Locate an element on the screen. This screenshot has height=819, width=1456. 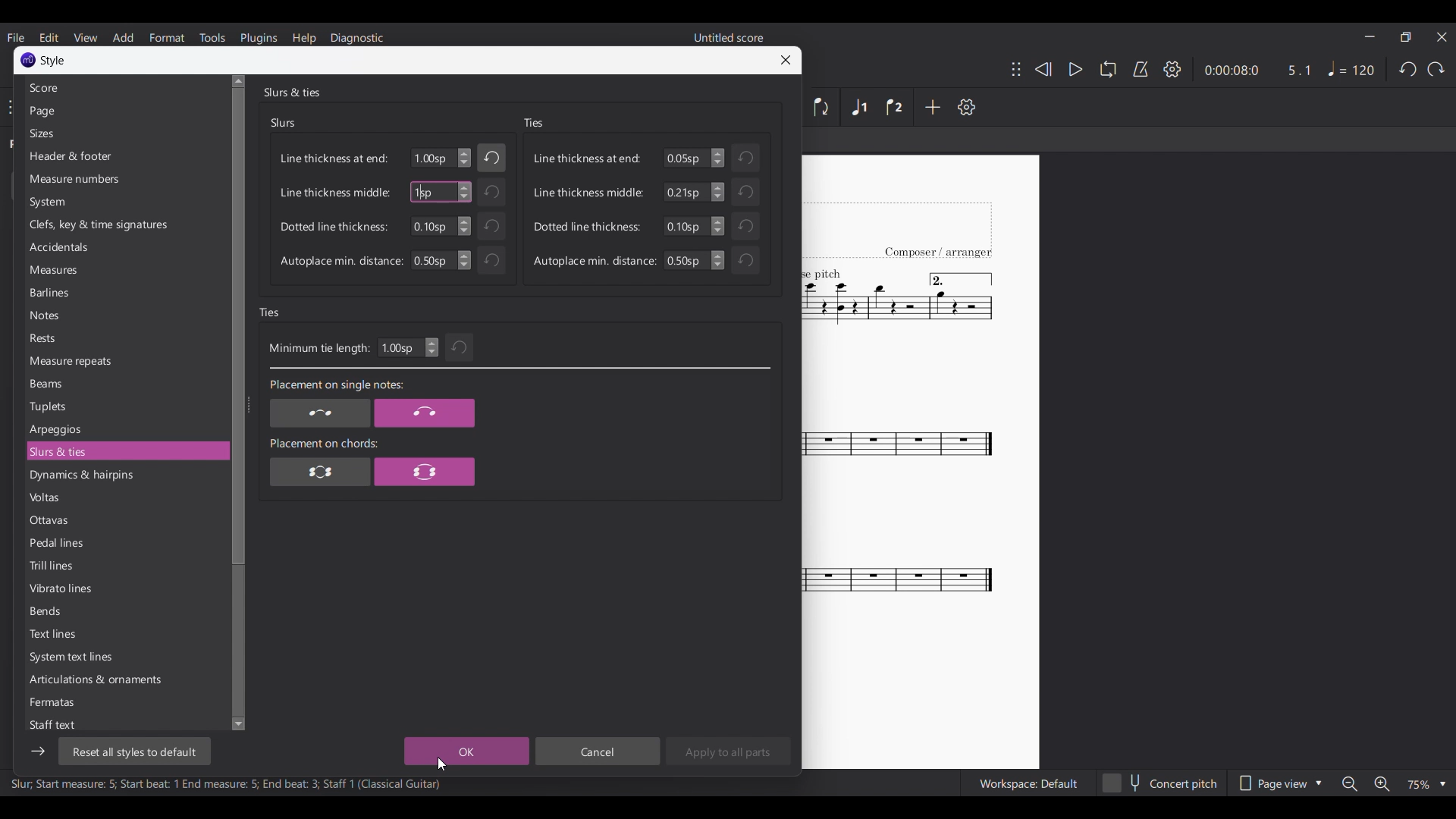
Current score is located at coordinates (899, 463).